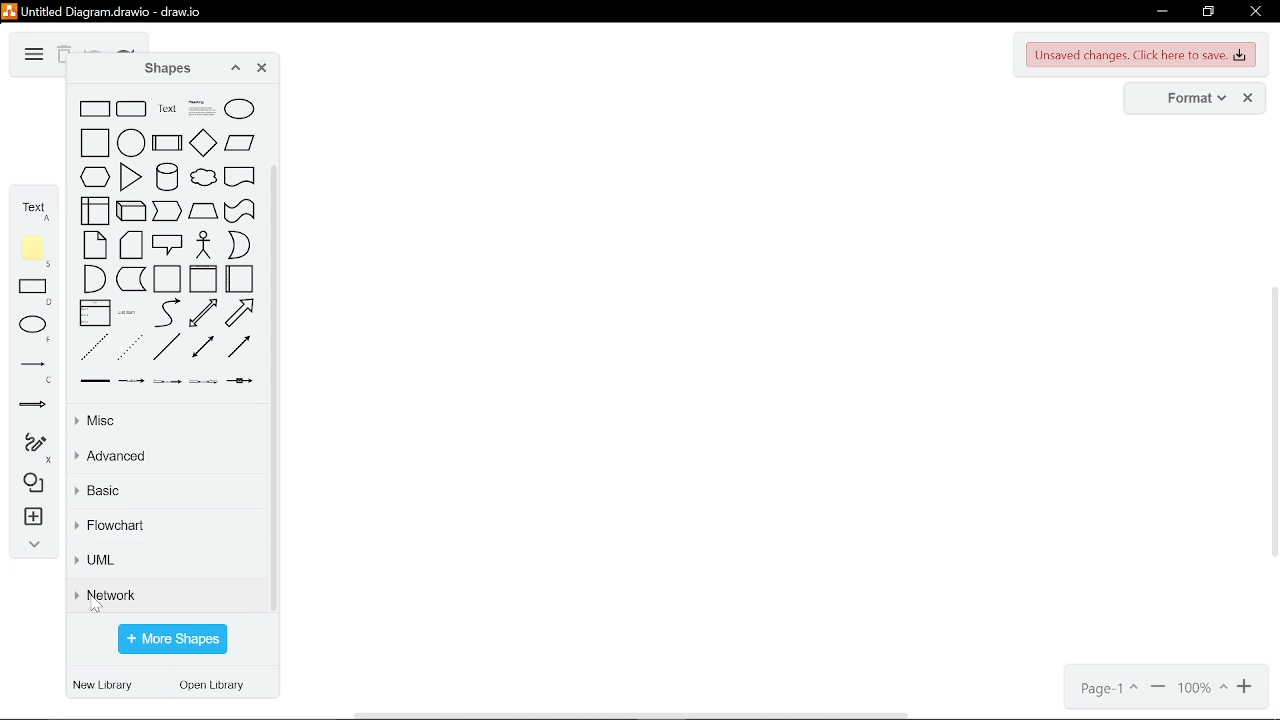 Image resolution: width=1280 pixels, height=720 pixels. Describe the element at coordinates (95, 142) in the screenshot. I see `square` at that location.